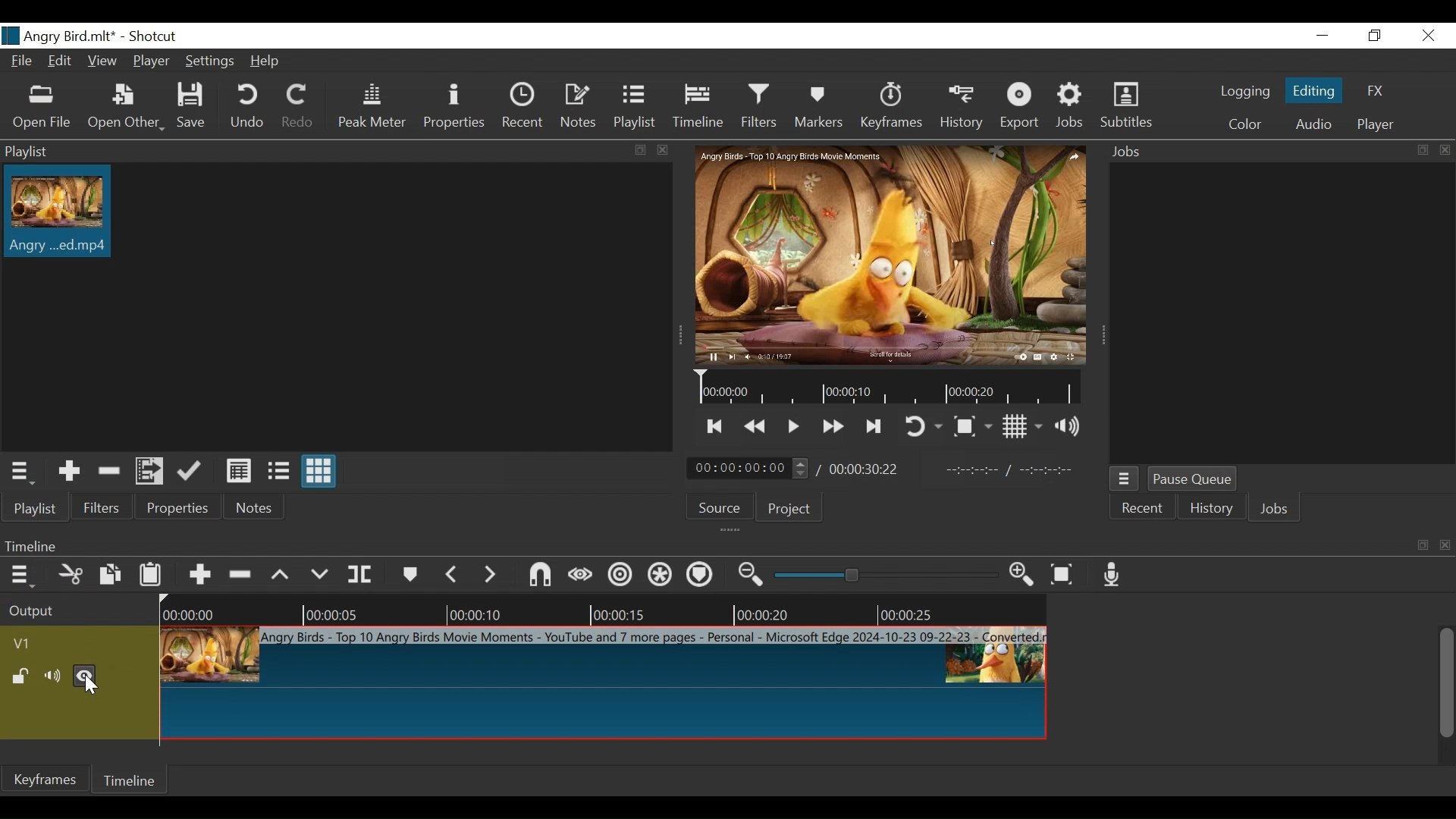 The image size is (1456, 819). Describe the element at coordinates (1125, 479) in the screenshot. I see `Jobs menu` at that location.